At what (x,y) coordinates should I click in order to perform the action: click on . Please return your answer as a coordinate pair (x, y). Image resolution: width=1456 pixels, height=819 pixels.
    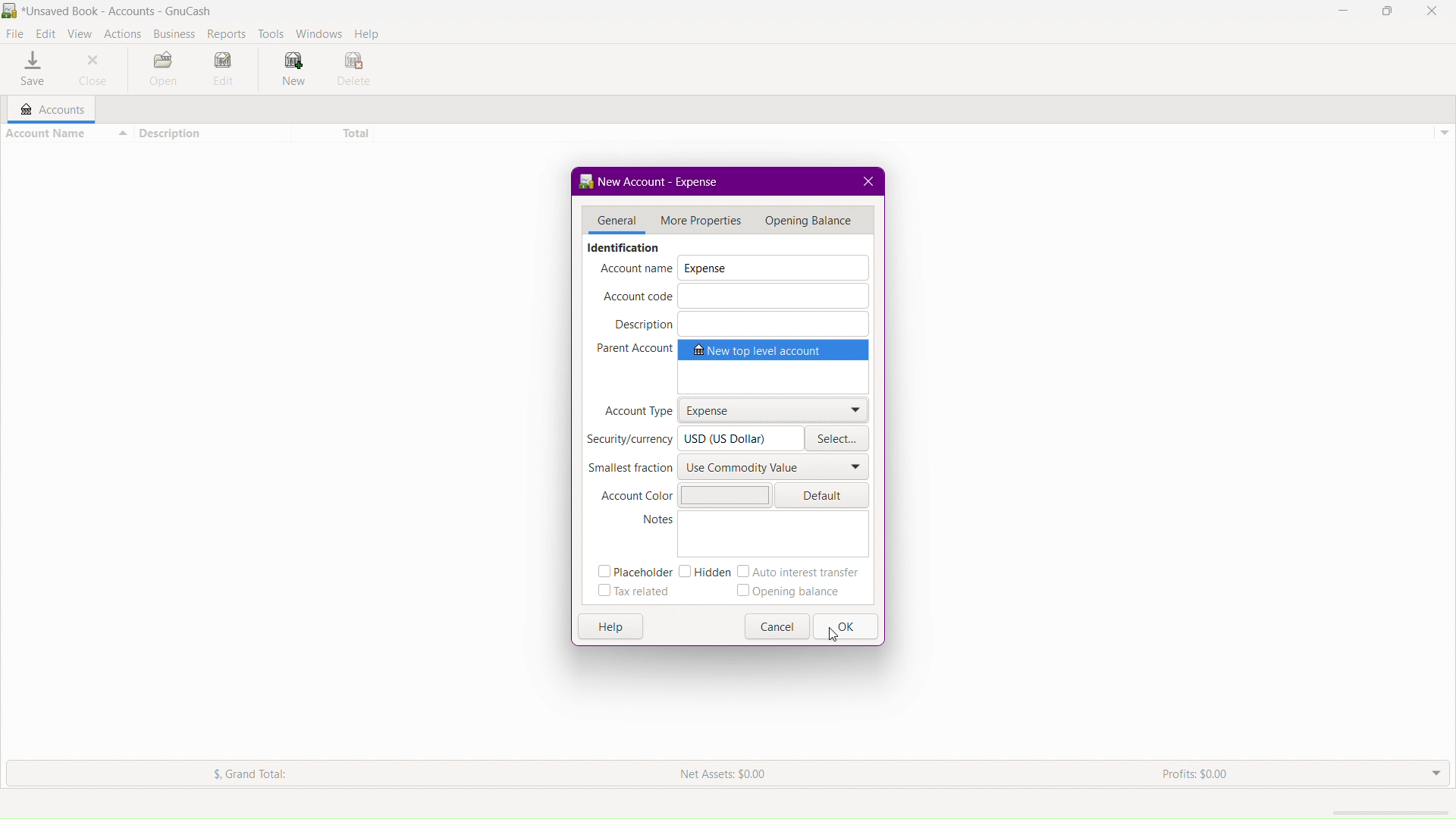
    Looking at the image, I should click on (811, 218).